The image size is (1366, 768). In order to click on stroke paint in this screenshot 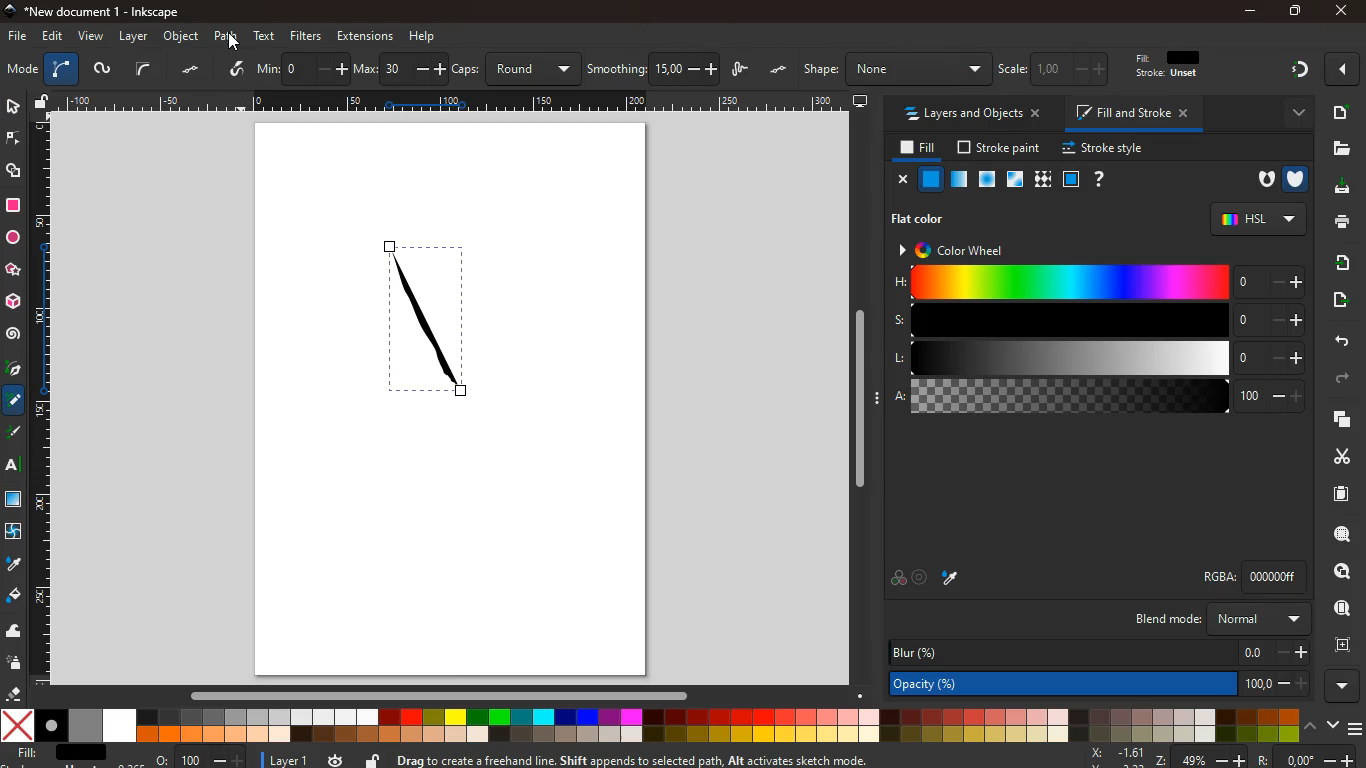, I will do `click(1001, 148)`.